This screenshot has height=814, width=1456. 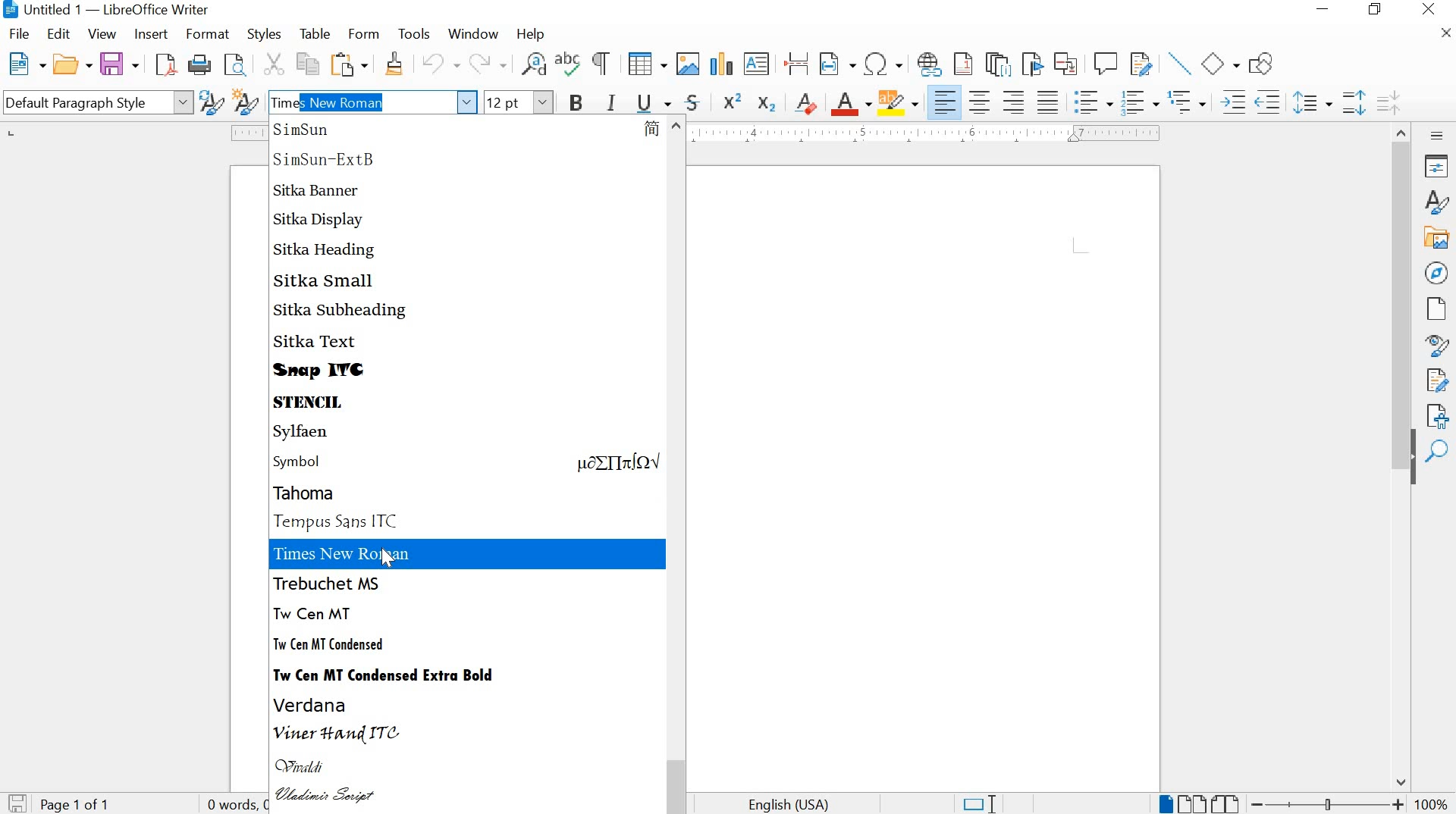 I want to click on GALLERY, so click(x=1438, y=239).